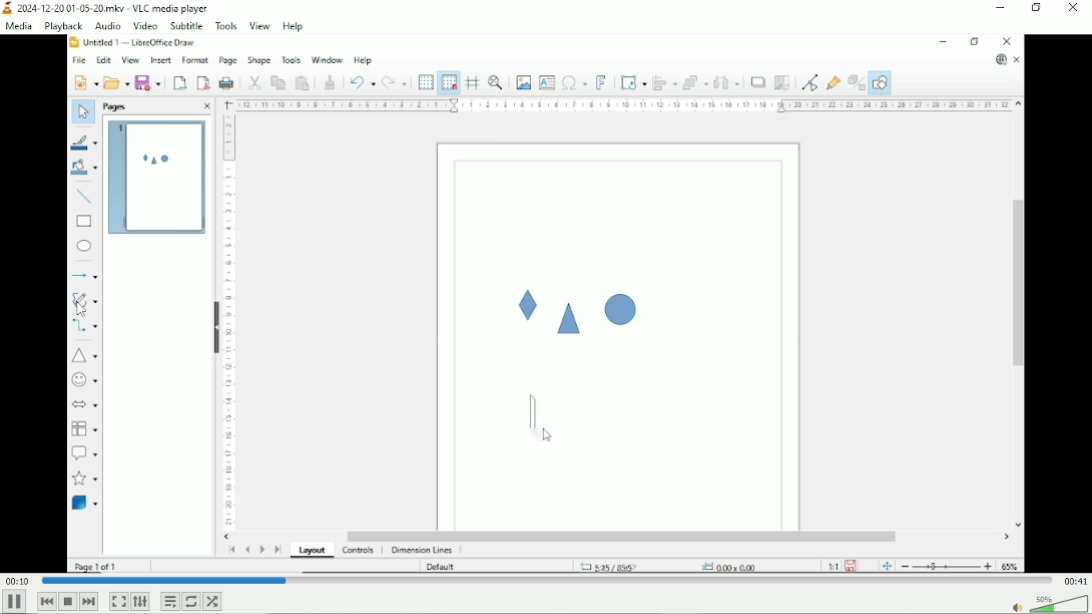  What do you see at coordinates (146, 25) in the screenshot?
I see `Video` at bounding box center [146, 25].